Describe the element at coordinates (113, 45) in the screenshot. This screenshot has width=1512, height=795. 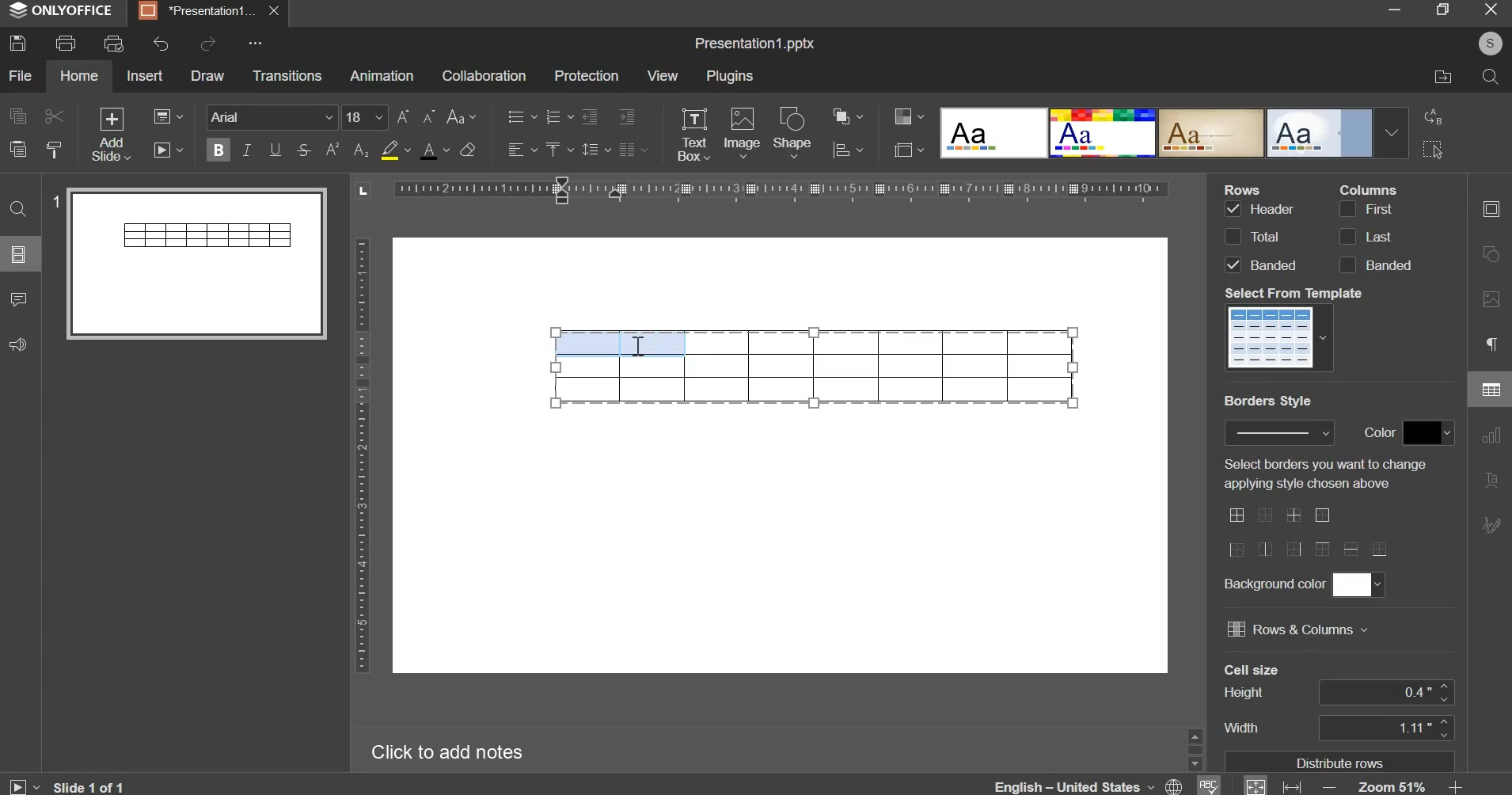
I see `print preview` at that location.